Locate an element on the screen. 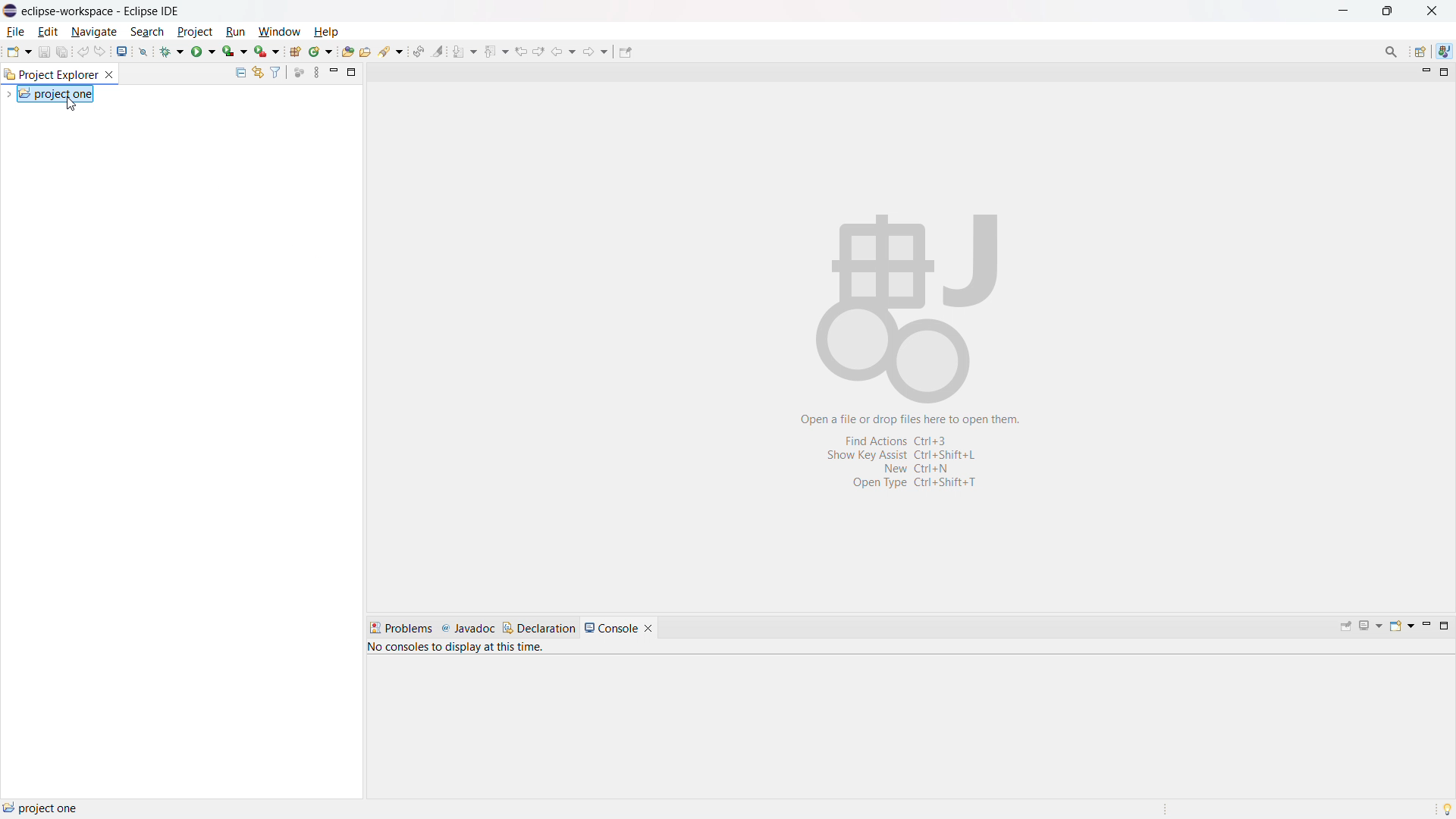 The width and height of the screenshot is (1456, 819). maximize is located at coordinates (1342, 11).